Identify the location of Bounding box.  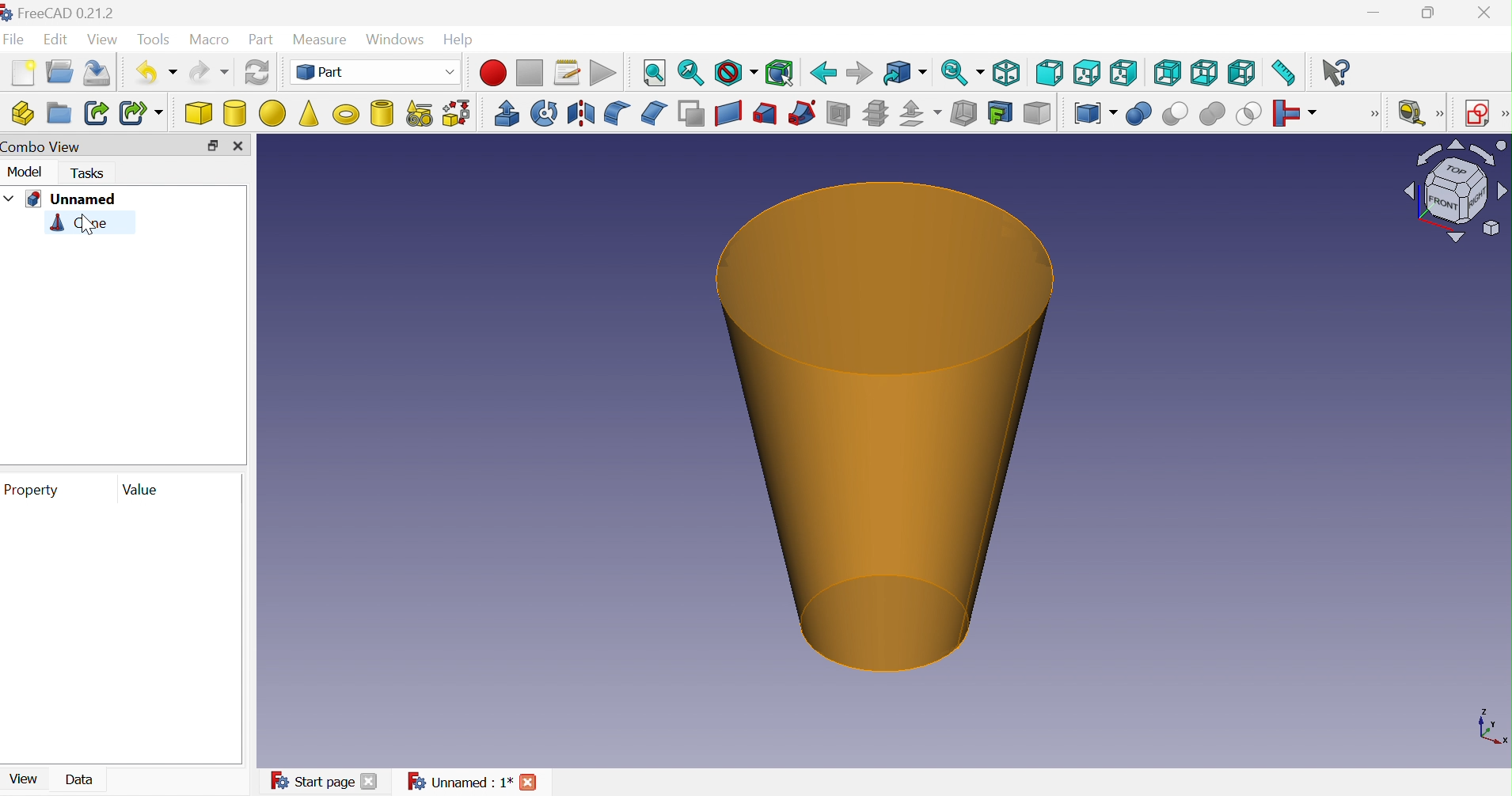
(779, 74).